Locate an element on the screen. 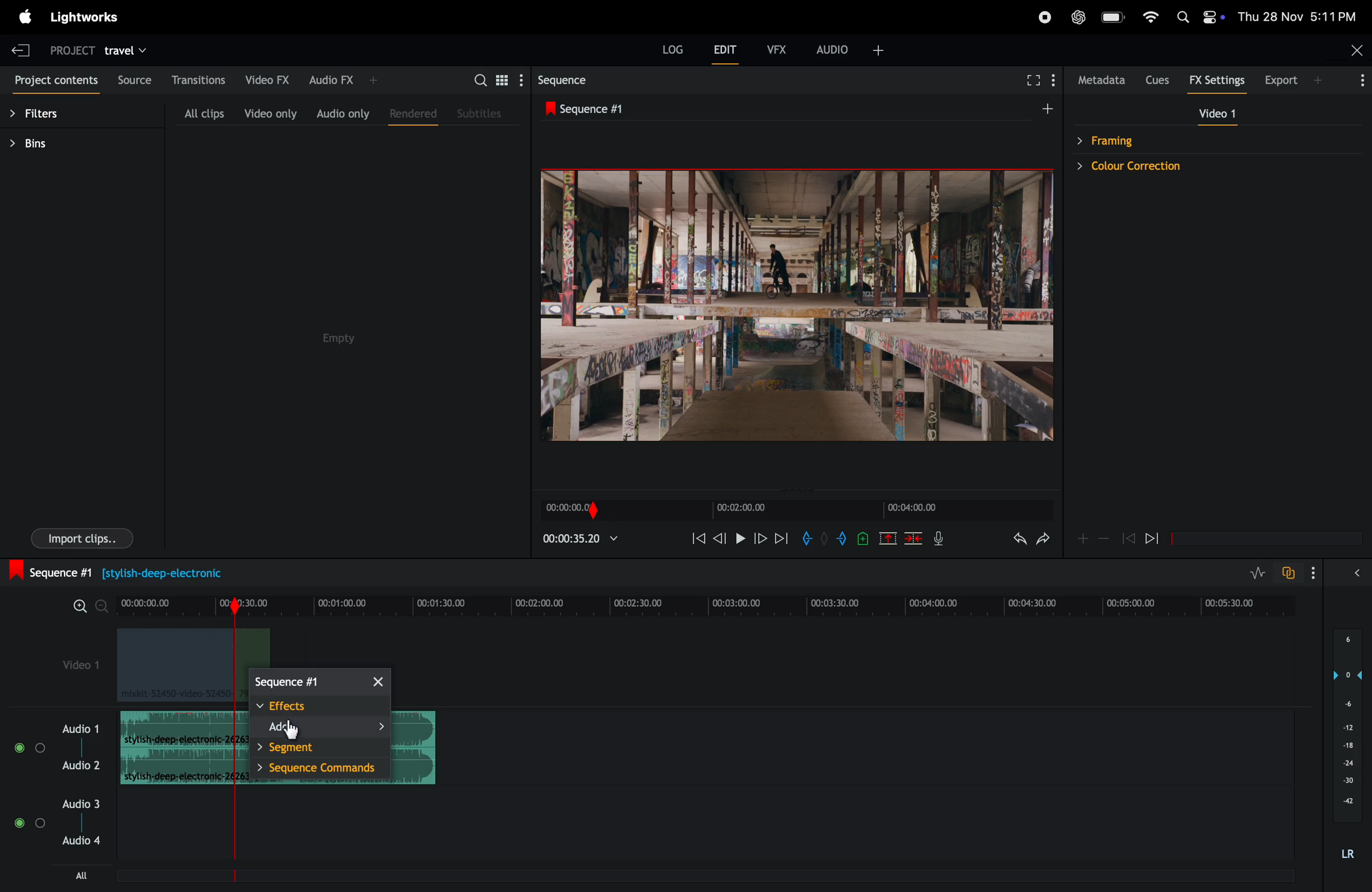  chatgpt is located at coordinates (1078, 16).